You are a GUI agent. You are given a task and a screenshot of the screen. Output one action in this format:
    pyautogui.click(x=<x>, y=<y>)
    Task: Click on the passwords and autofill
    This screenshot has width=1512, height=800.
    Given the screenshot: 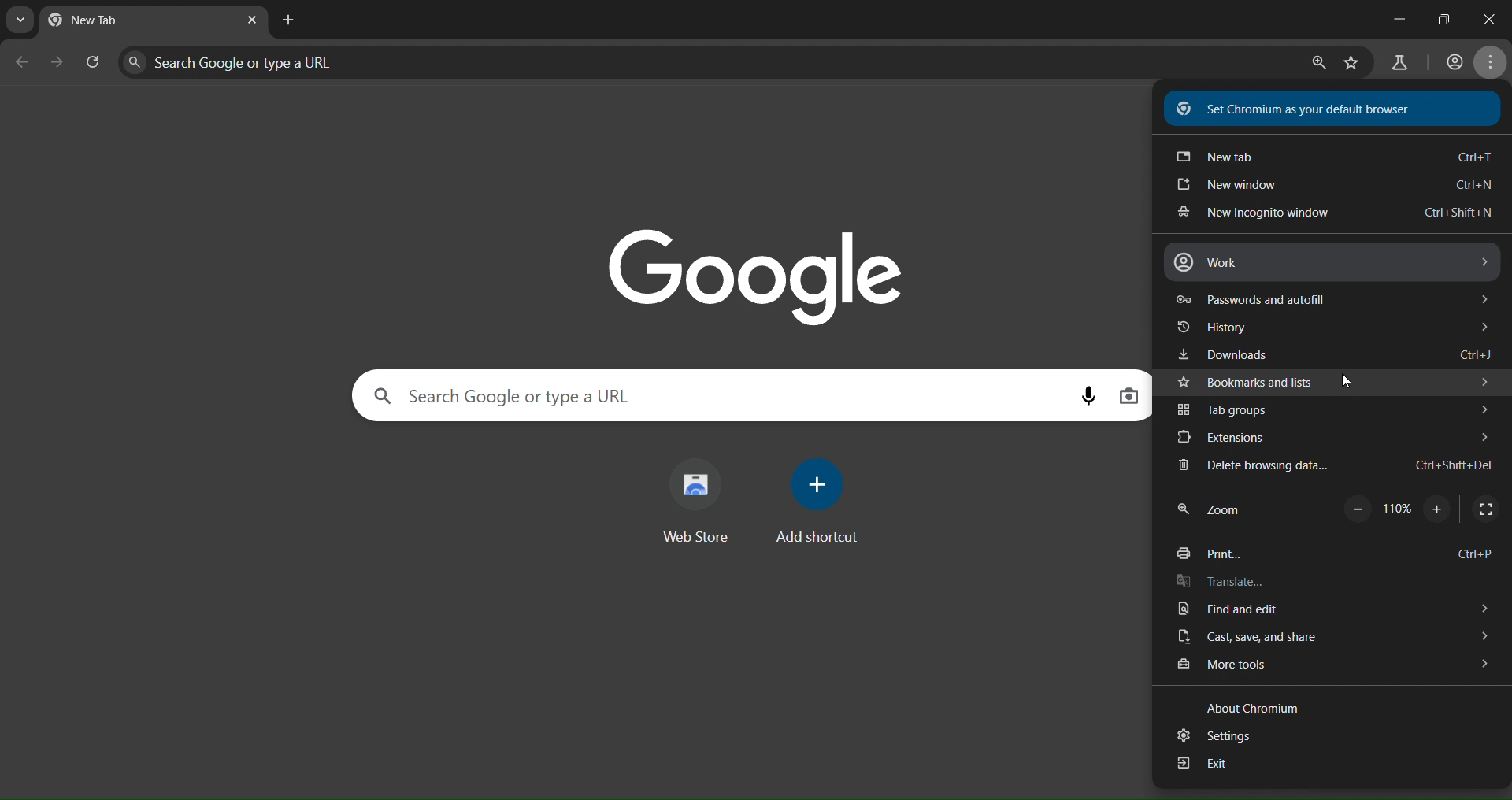 What is the action you would take?
    pyautogui.click(x=1334, y=301)
    